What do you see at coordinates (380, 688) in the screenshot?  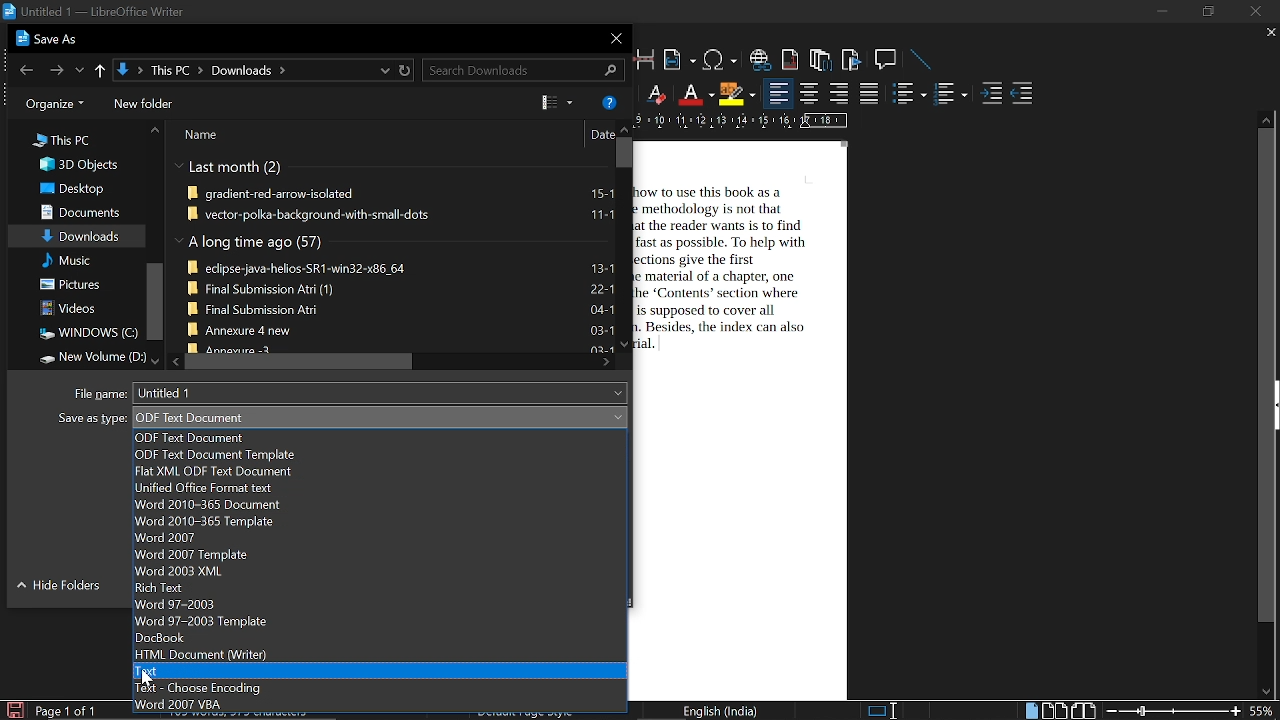 I see `text choose ending` at bounding box center [380, 688].